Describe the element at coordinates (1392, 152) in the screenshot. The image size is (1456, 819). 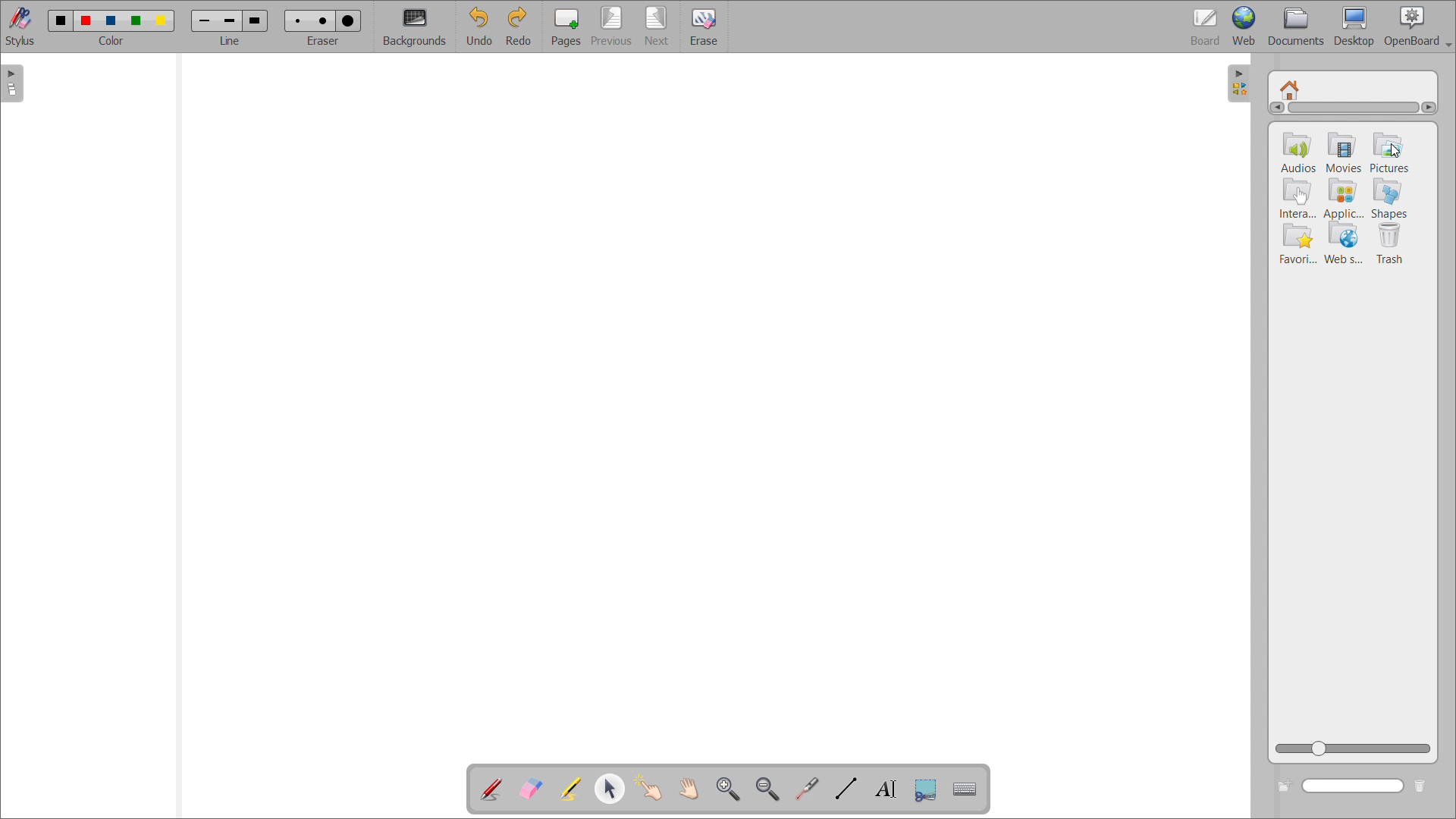
I see `pictures` at that location.